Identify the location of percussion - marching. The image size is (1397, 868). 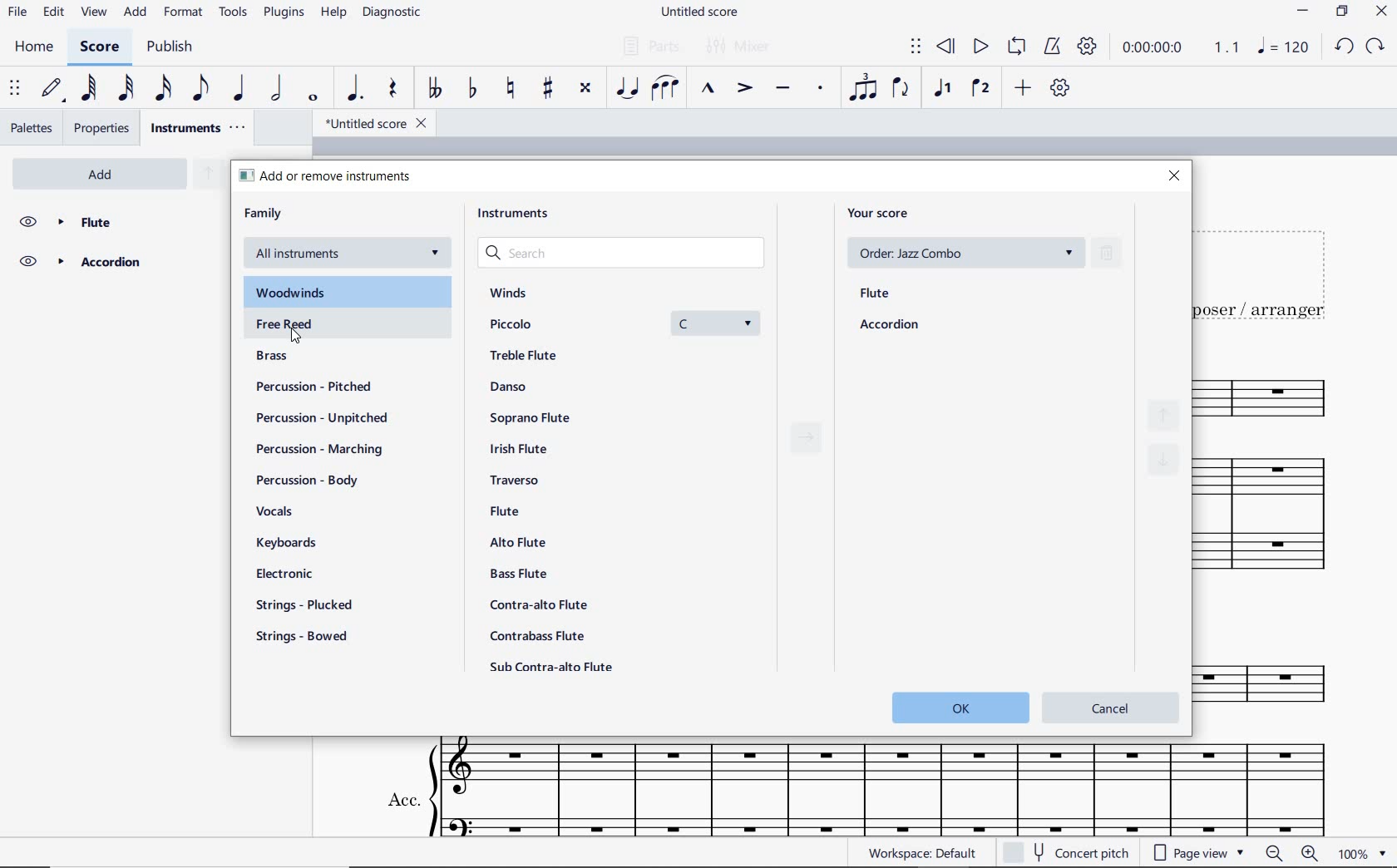
(327, 450).